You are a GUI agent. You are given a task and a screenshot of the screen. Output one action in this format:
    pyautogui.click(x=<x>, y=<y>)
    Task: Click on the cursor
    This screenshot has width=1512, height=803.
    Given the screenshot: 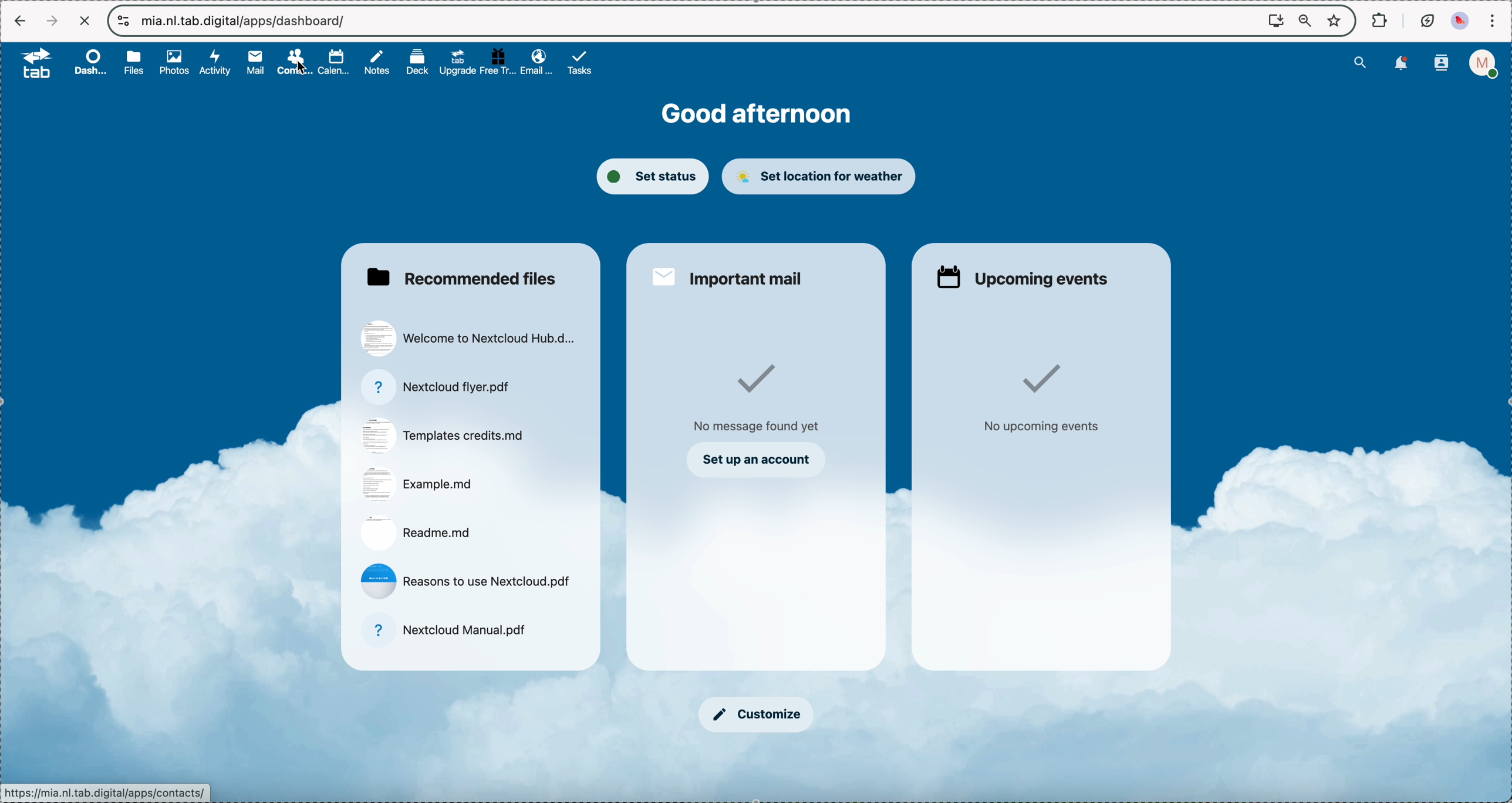 What is the action you would take?
    pyautogui.click(x=301, y=68)
    